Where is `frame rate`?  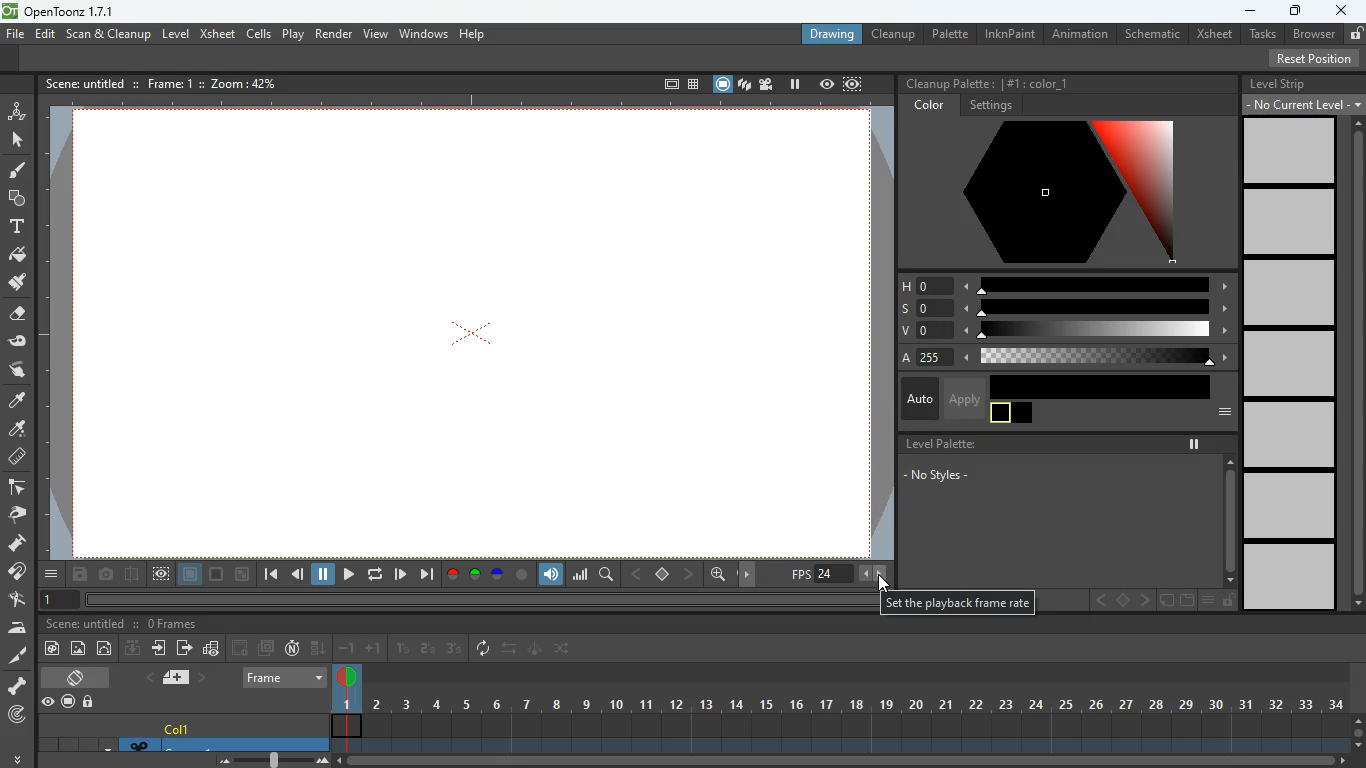
frame rate is located at coordinates (817, 574).